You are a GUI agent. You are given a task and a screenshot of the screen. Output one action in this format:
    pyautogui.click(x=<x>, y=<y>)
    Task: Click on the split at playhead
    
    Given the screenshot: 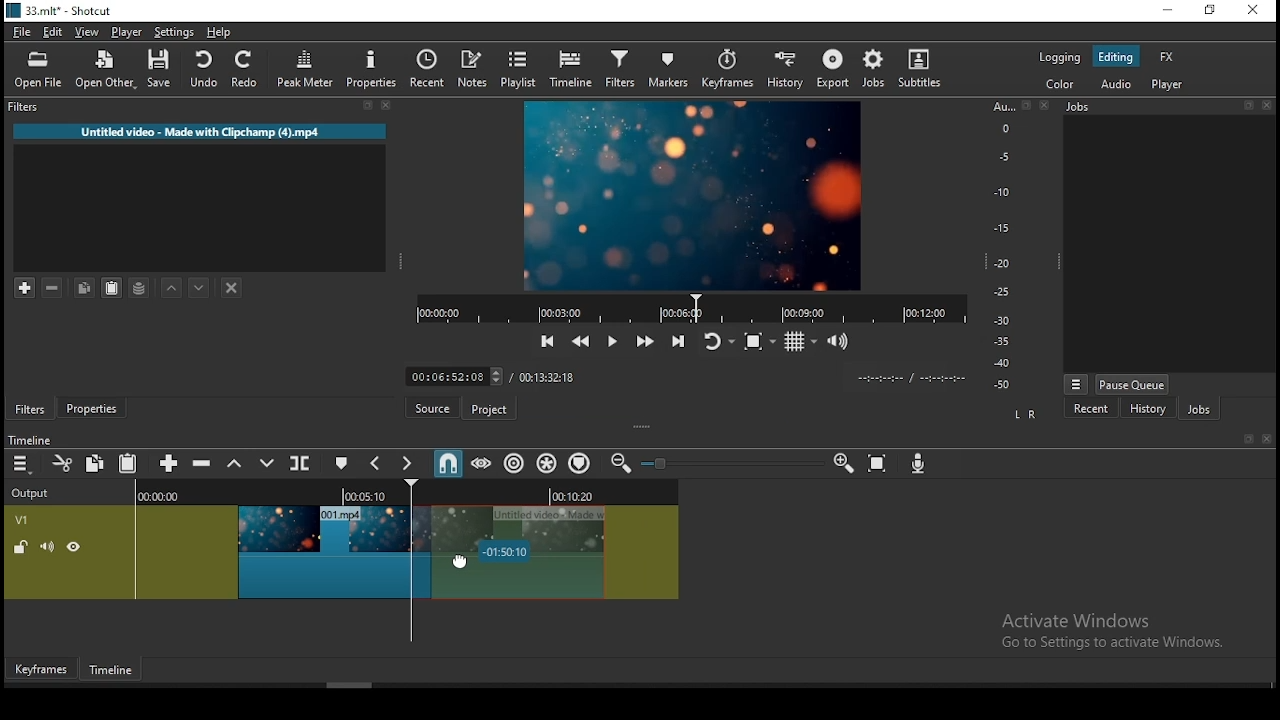 What is the action you would take?
    pyautogui.click(x=303, y=465)
    